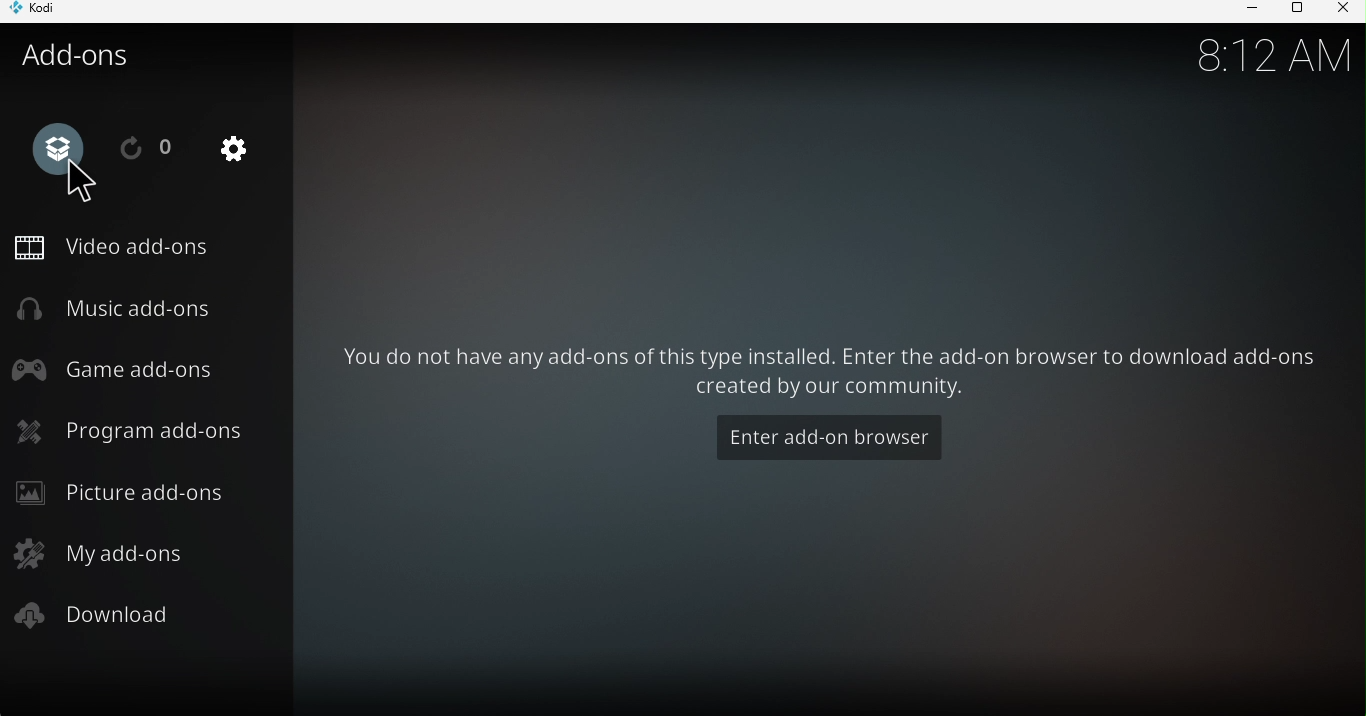 Image resolution: width=1366 pixels, height=716 pixels. I want to click on Maximize, so click(1293, 11).